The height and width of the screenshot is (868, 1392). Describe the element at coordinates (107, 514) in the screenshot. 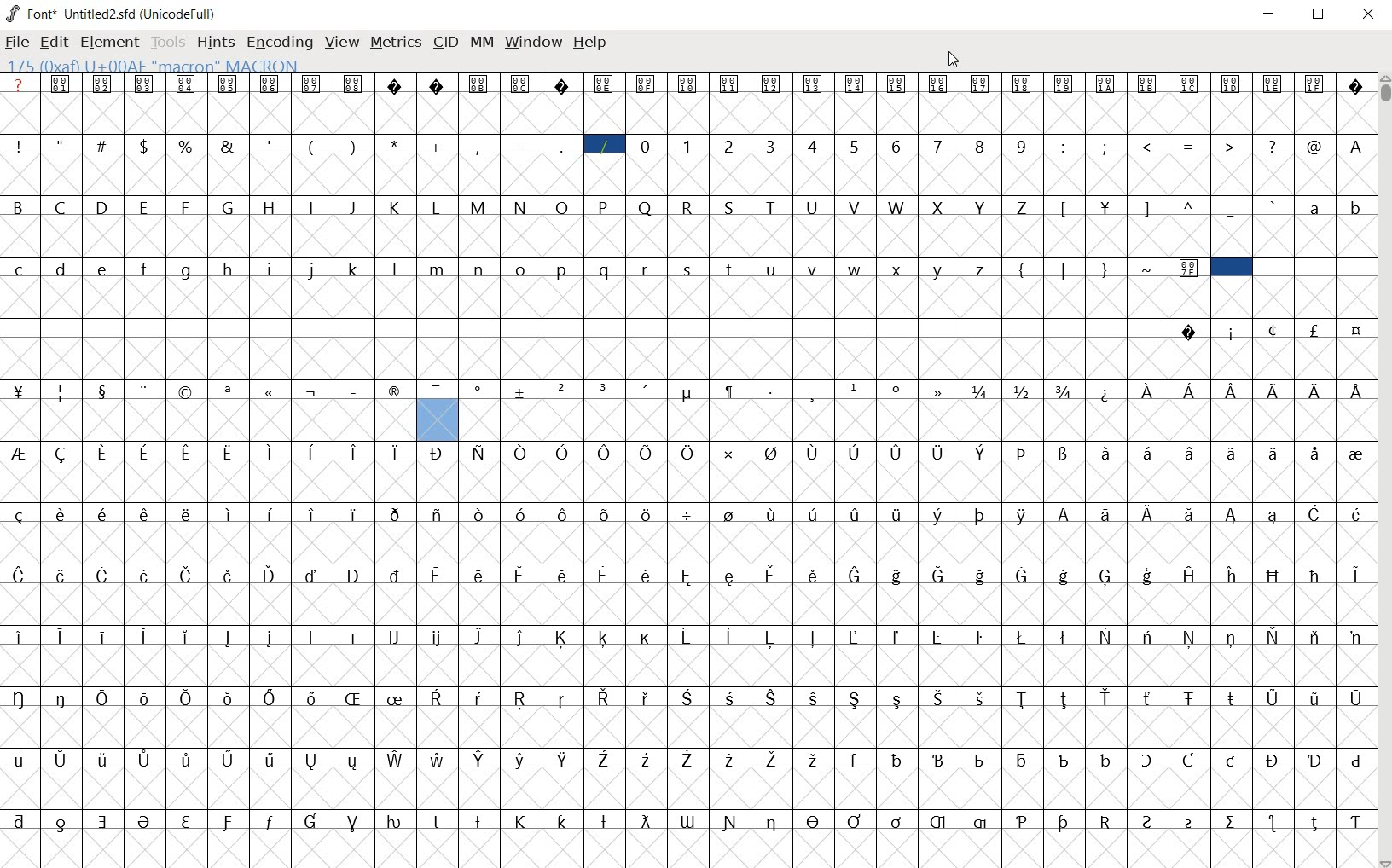

I see `Symbol` at that location.